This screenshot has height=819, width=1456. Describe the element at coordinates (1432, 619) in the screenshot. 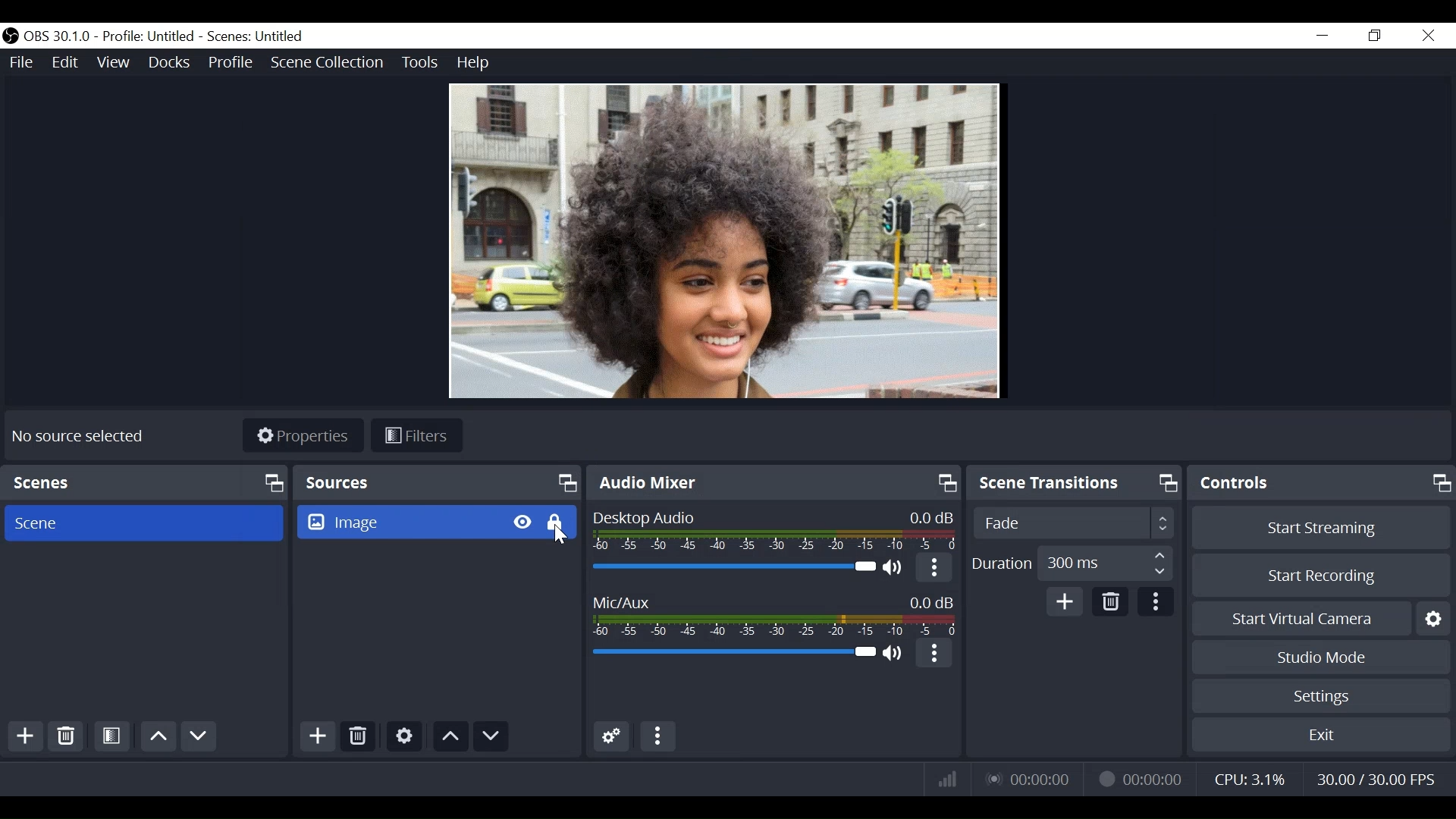

I see `Settings` at that location.